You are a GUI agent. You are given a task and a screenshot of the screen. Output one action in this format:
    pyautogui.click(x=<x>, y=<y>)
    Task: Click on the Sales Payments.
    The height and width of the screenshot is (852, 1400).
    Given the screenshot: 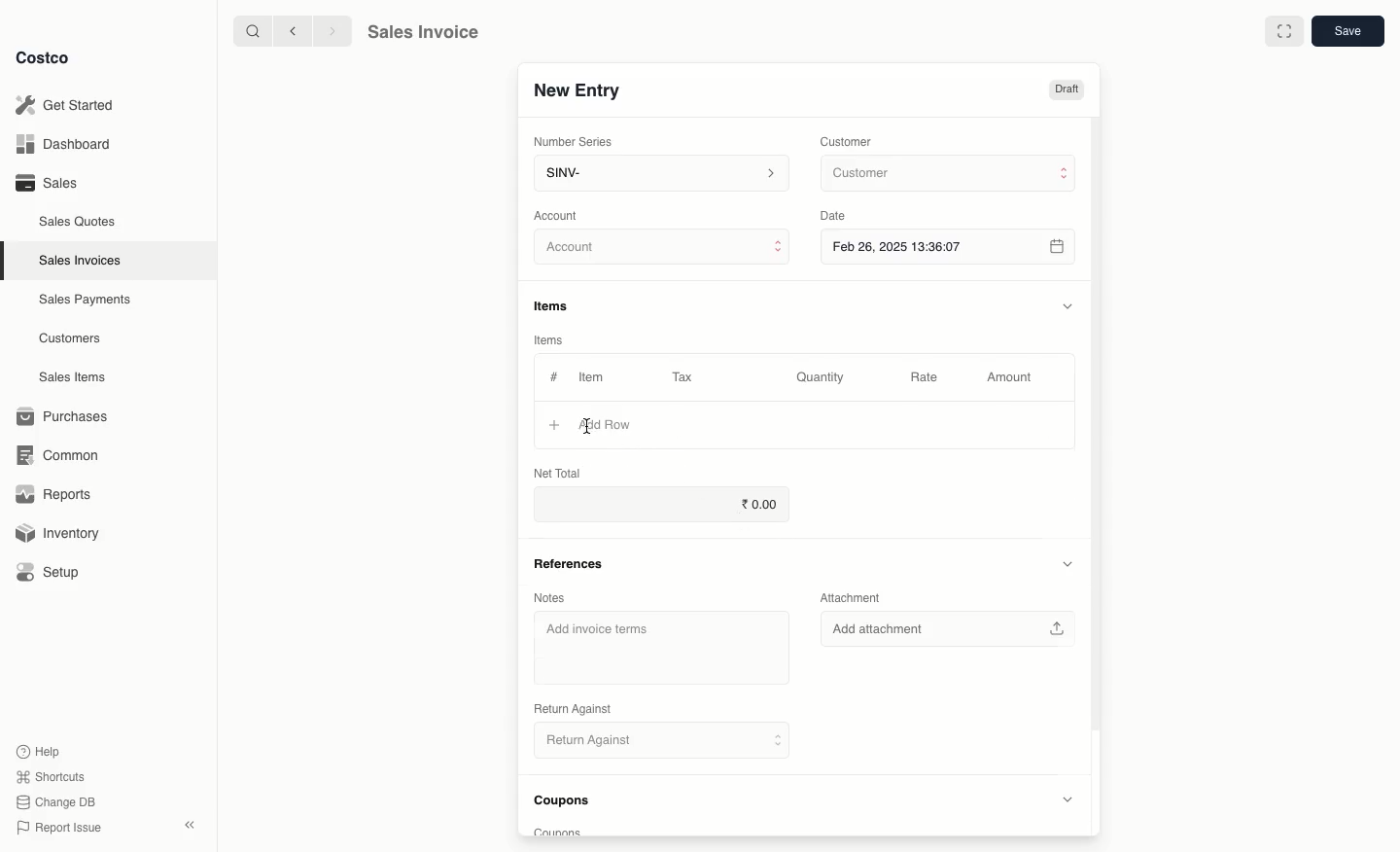 What is the action you would take?
    pyautogui.click(x=87, y=302)
    